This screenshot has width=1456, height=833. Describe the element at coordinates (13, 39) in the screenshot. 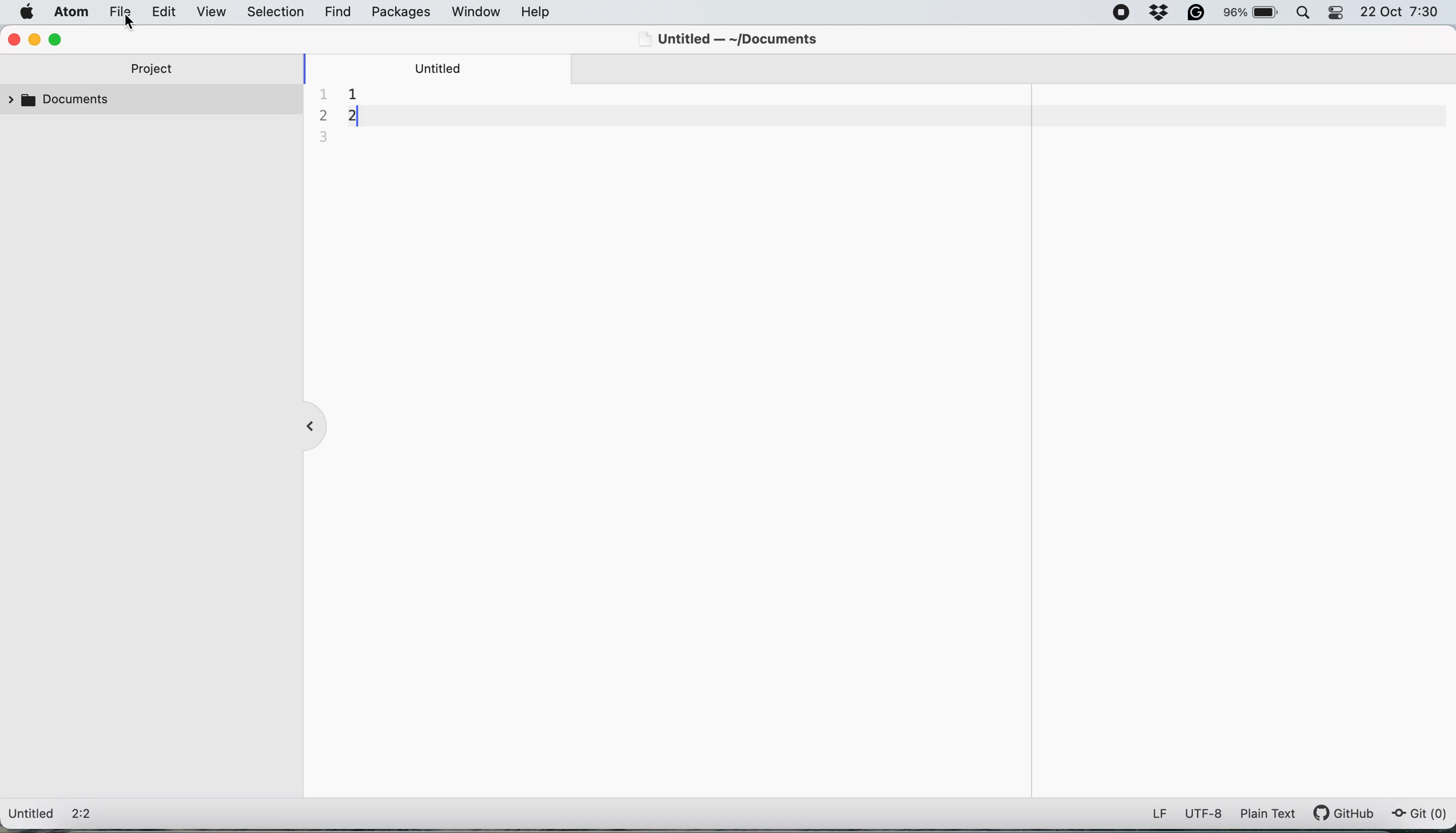

I see `close` at that location.